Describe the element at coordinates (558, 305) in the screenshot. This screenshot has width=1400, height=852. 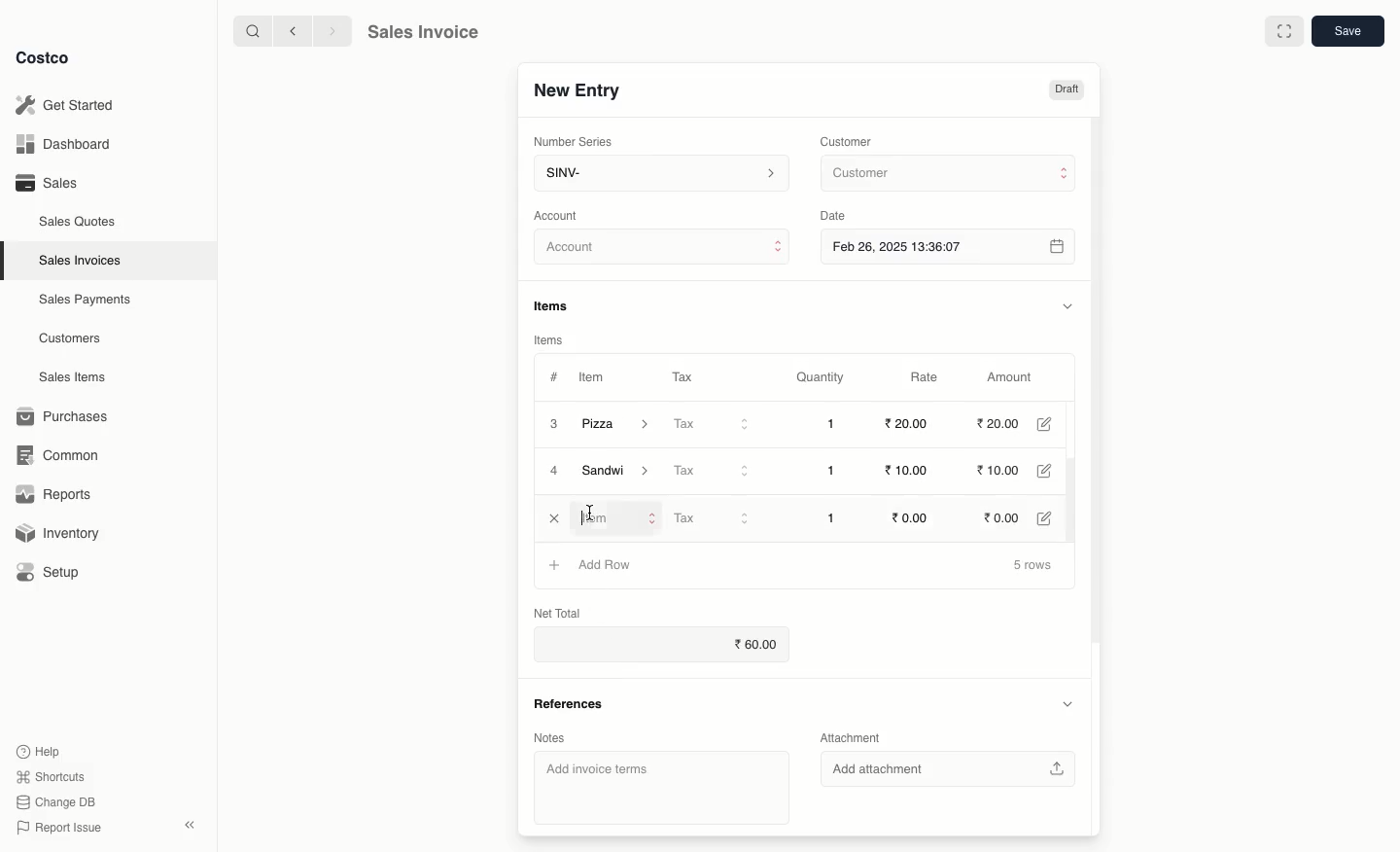
I see `Items` at that location.